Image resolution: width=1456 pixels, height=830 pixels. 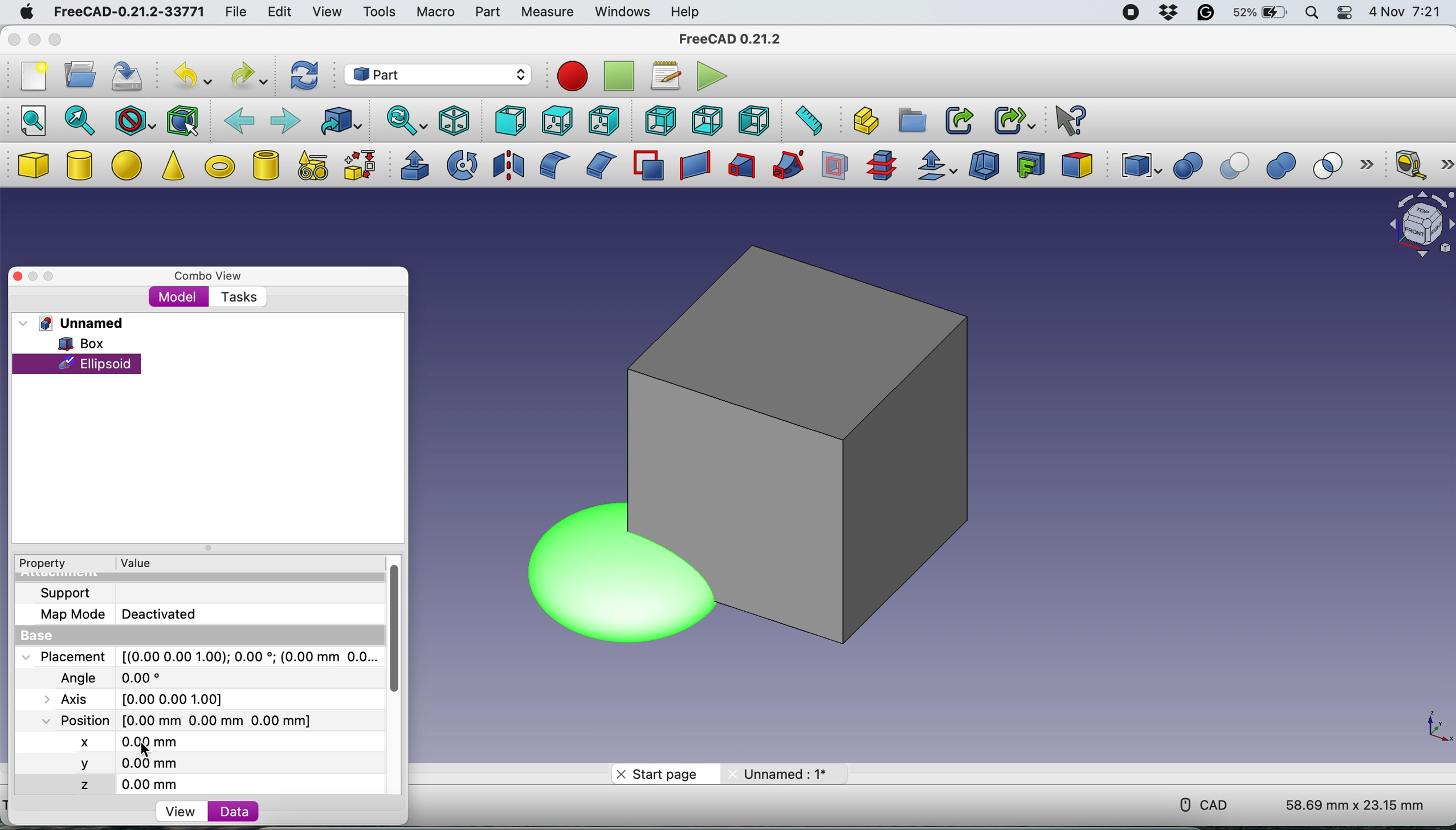 I want to click on battery, so click(x=1258, y=14).